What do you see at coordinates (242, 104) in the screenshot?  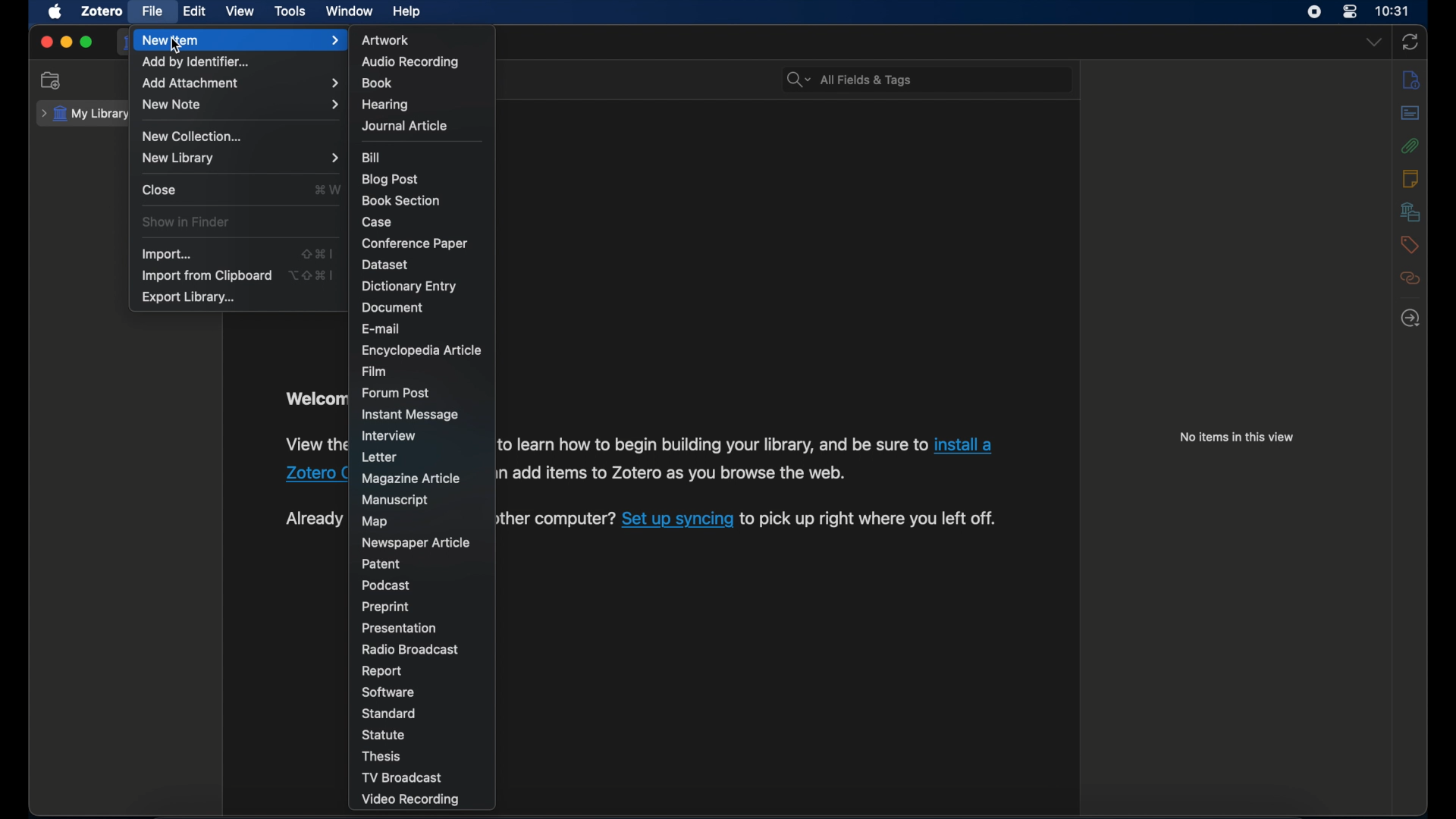 I see `new note` at bounding box center [242, 104].